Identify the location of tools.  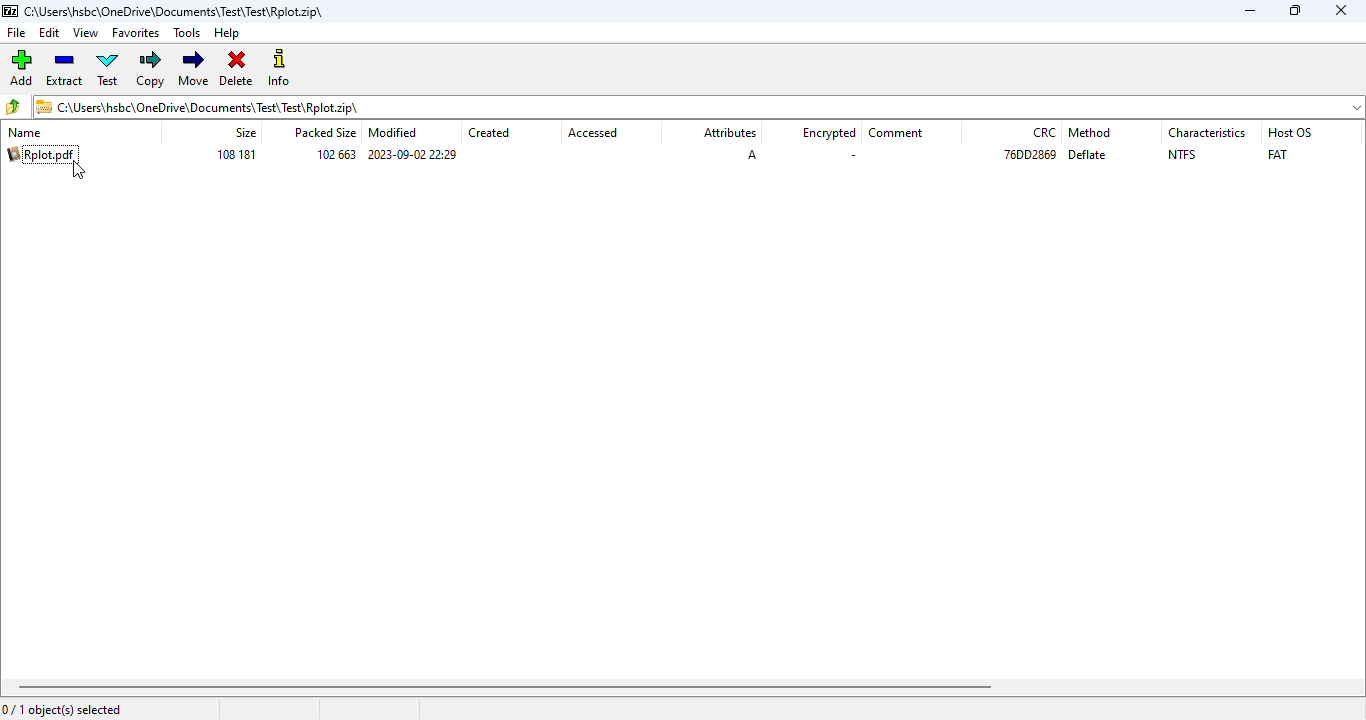
(187, 33).